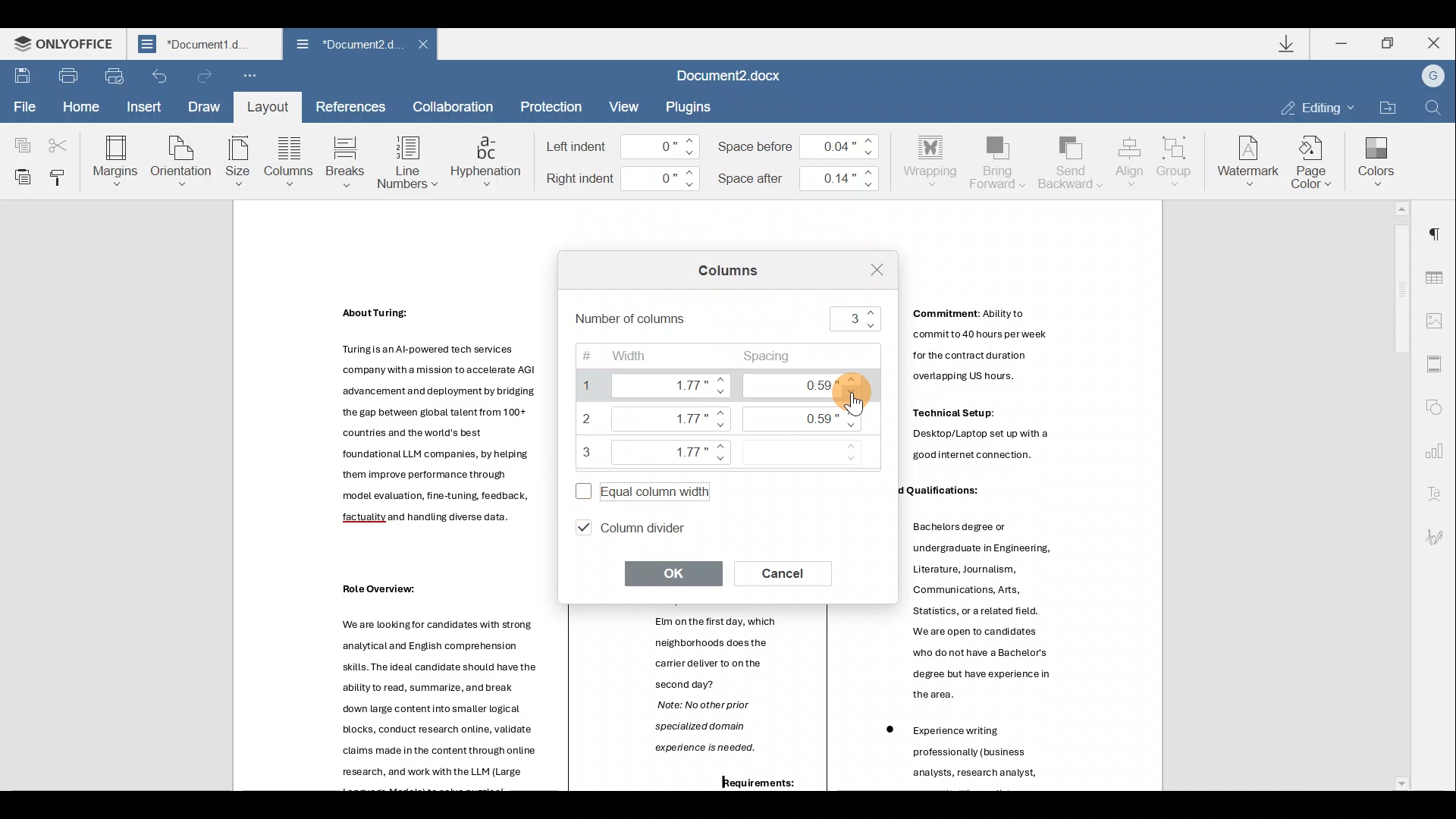 The height and width of the screenshot is (819, 1456). What do you see at coordinates (708, 688) in the screenshot?
I see `Elm onthe first day, which
neighborhoods does the
carrier deliver to onthe
second day?
Note: No other prior
specialized domain
experience is needed.

| ——` at bounding box center [708, 688].